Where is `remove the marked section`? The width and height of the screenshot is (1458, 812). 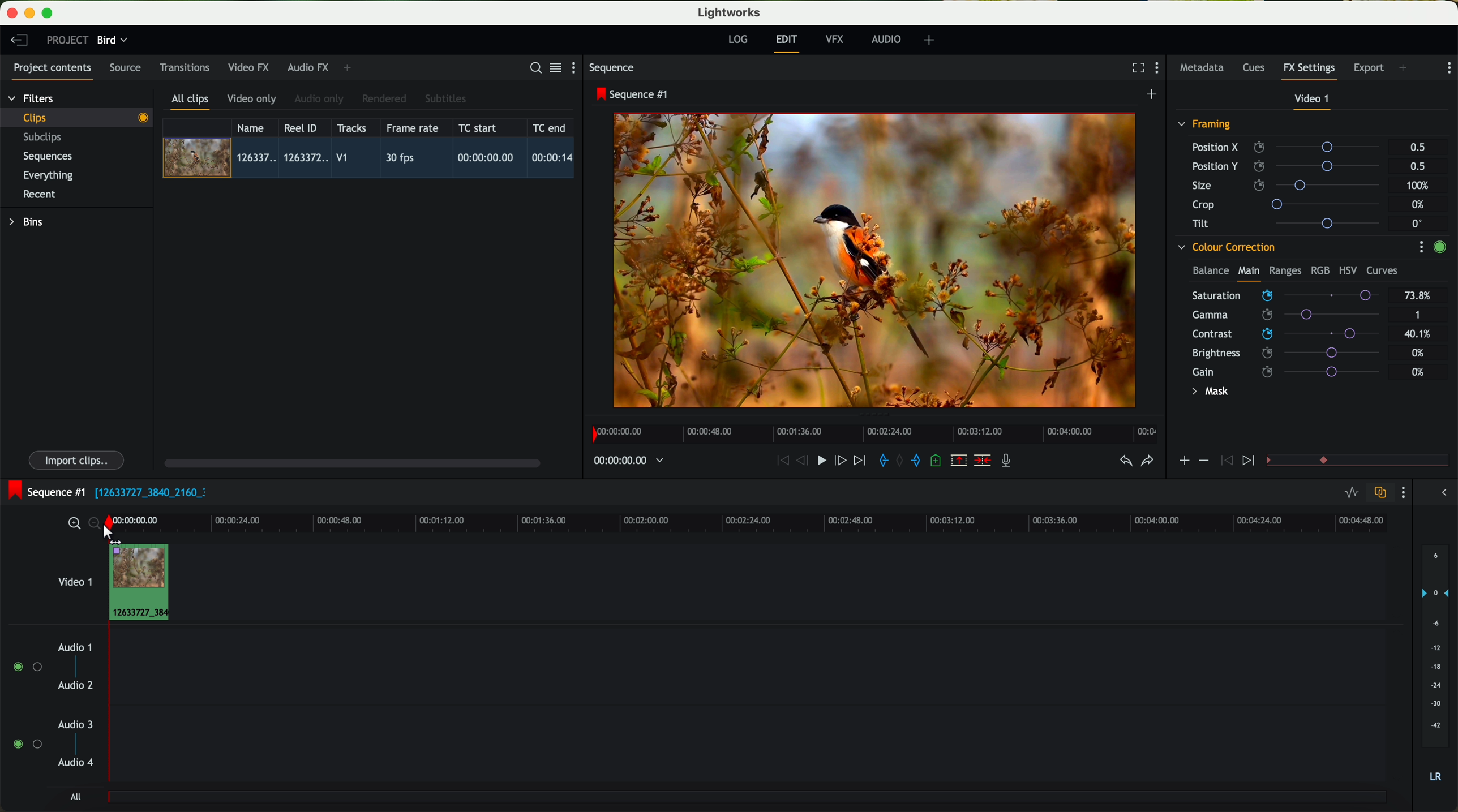
remove the marked section is located at coordinates (960, 461).